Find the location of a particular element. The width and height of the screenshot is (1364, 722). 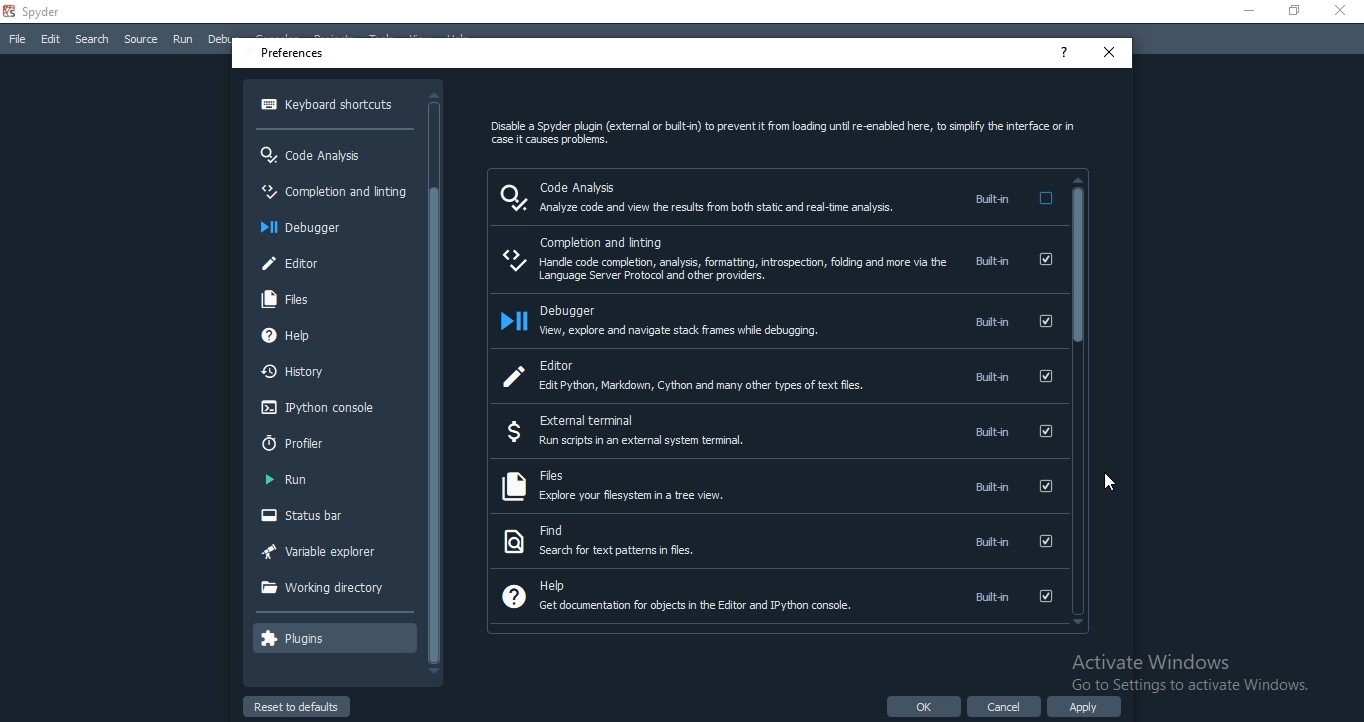

code analysis is located at coordinates (329, 153).